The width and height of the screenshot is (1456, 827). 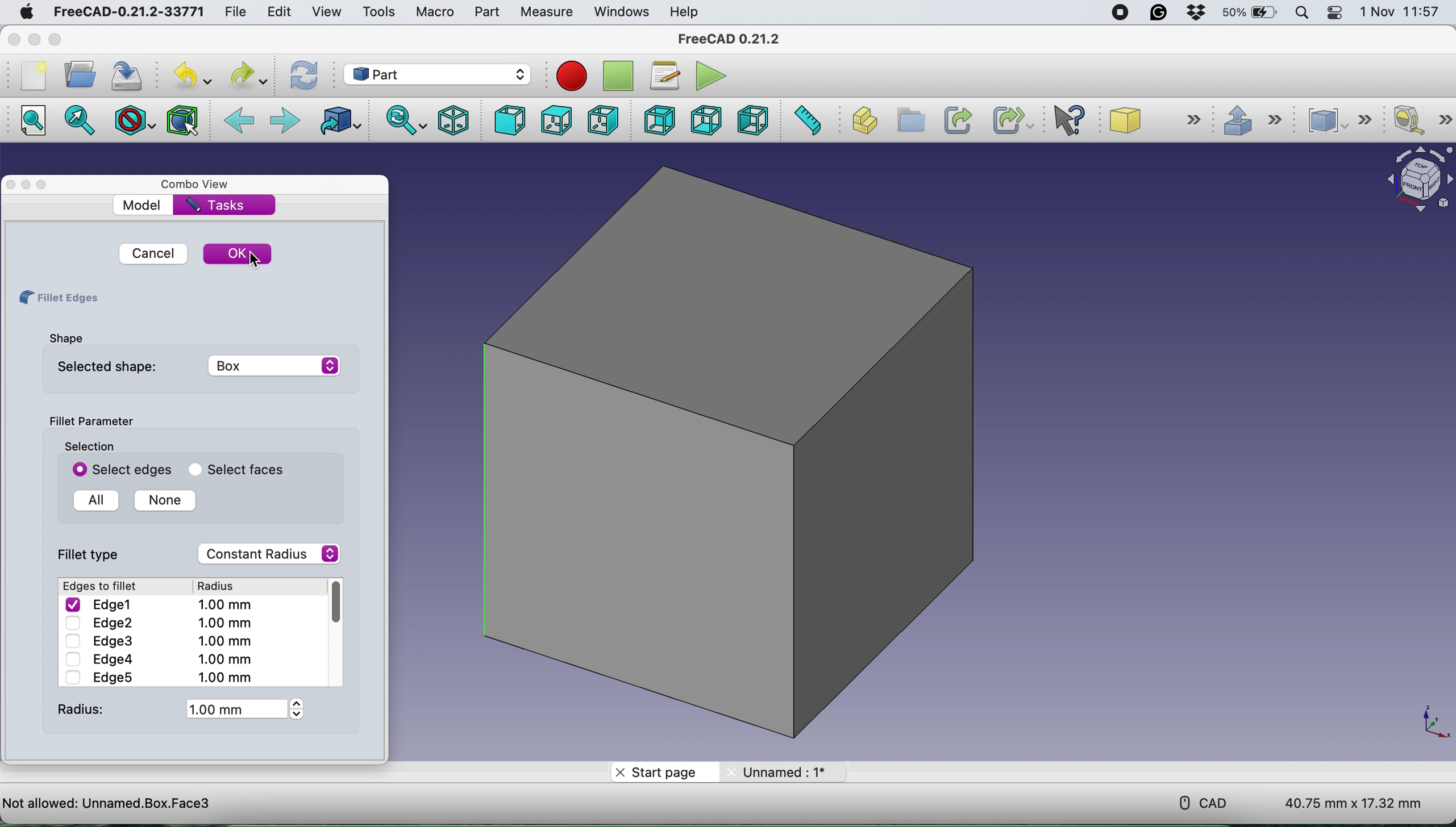 What do you see at coordinates (546, 12) in the screenshot?
I see `measure` at bounding box center [546, 12].